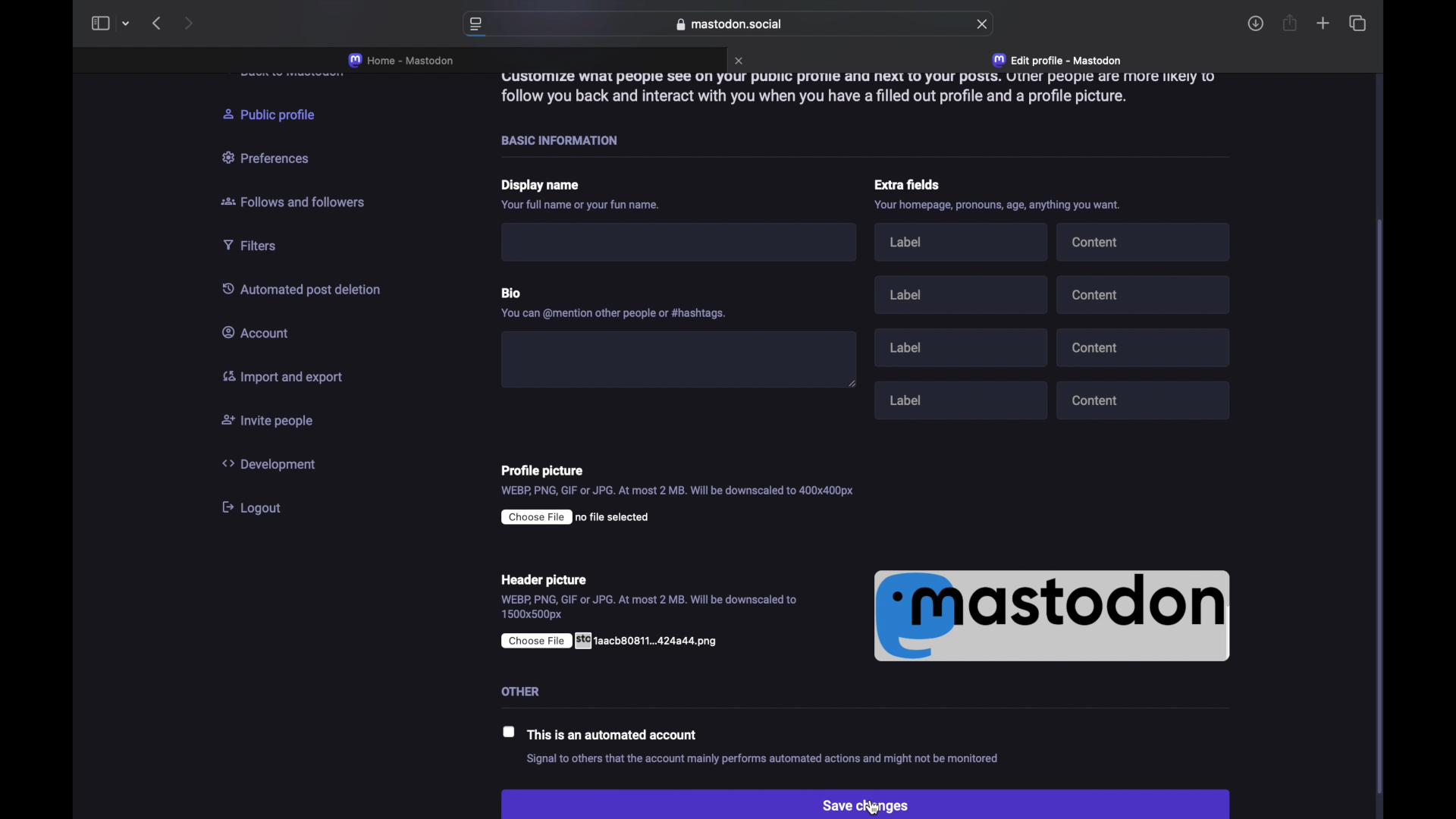 This screenshot has height=819, width=1456. I want to click on image, so click(1053, 615).